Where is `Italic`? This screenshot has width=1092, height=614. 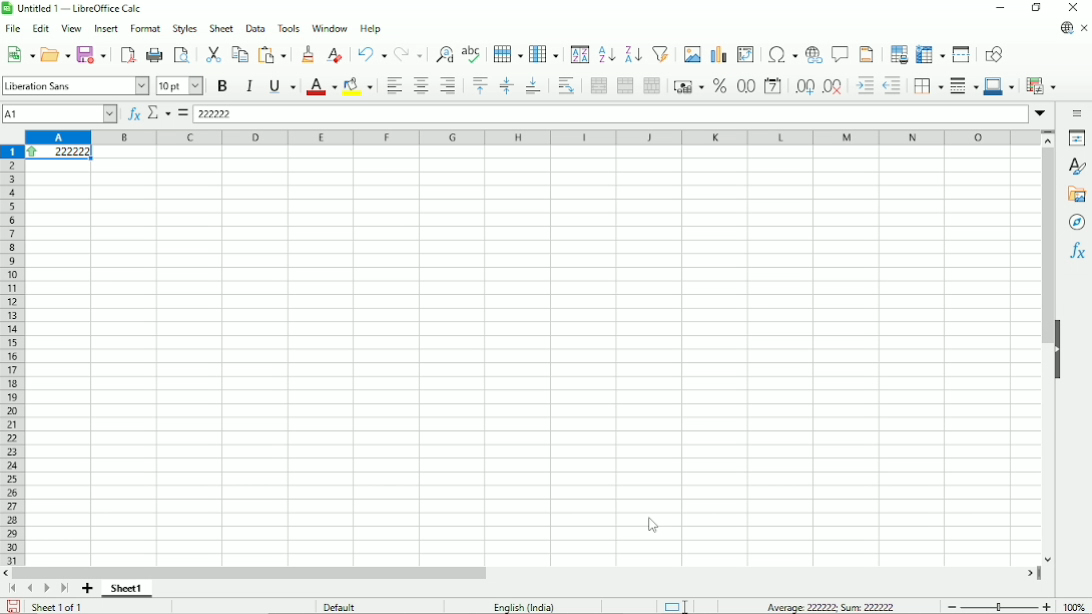
Italic is located at coordinates (249, 86).